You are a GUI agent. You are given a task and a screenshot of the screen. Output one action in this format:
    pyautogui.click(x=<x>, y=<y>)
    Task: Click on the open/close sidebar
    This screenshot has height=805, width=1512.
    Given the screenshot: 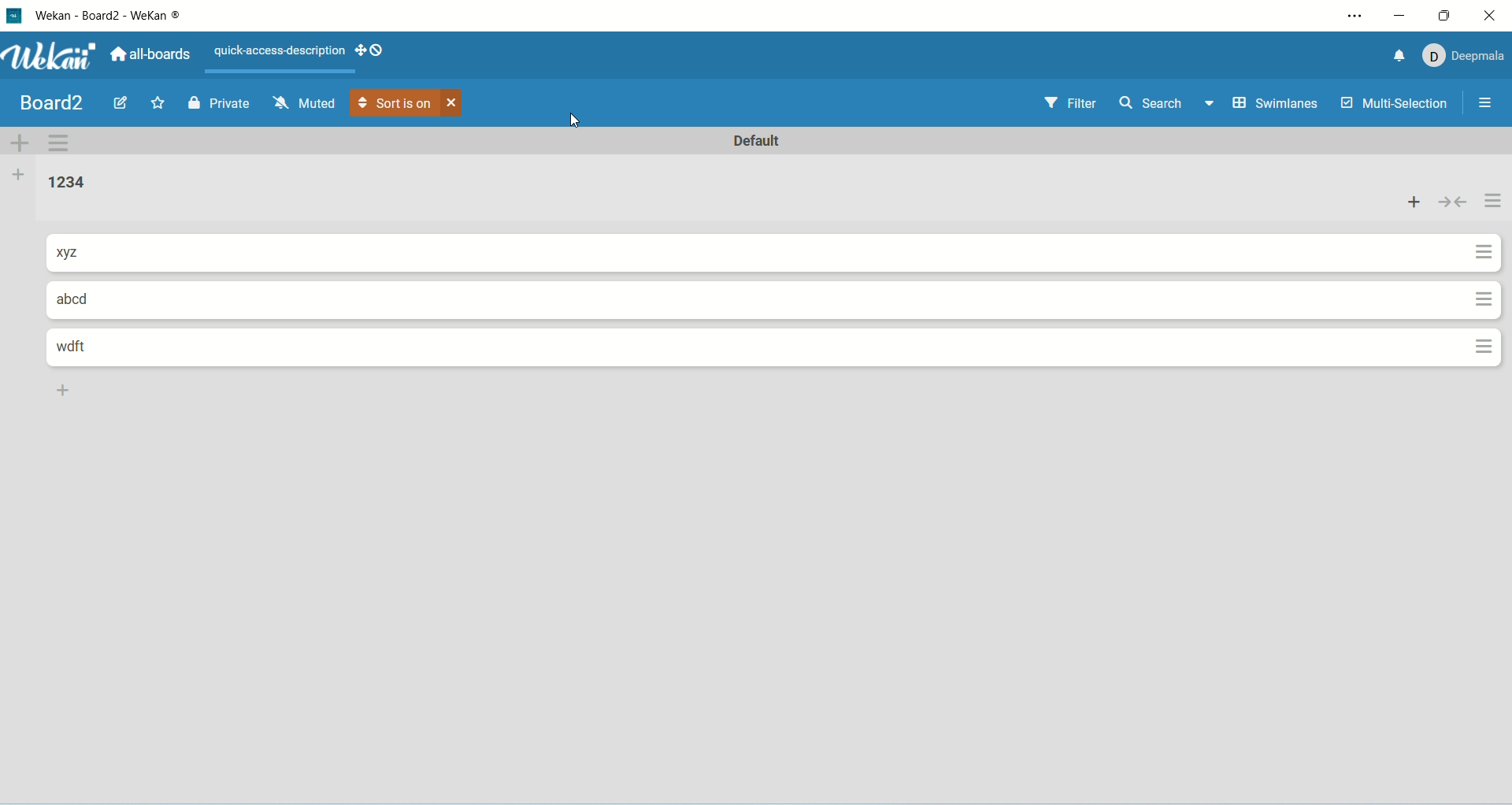 What is the action you would take?
    pyautogui.click(x=1487, y=103)
    